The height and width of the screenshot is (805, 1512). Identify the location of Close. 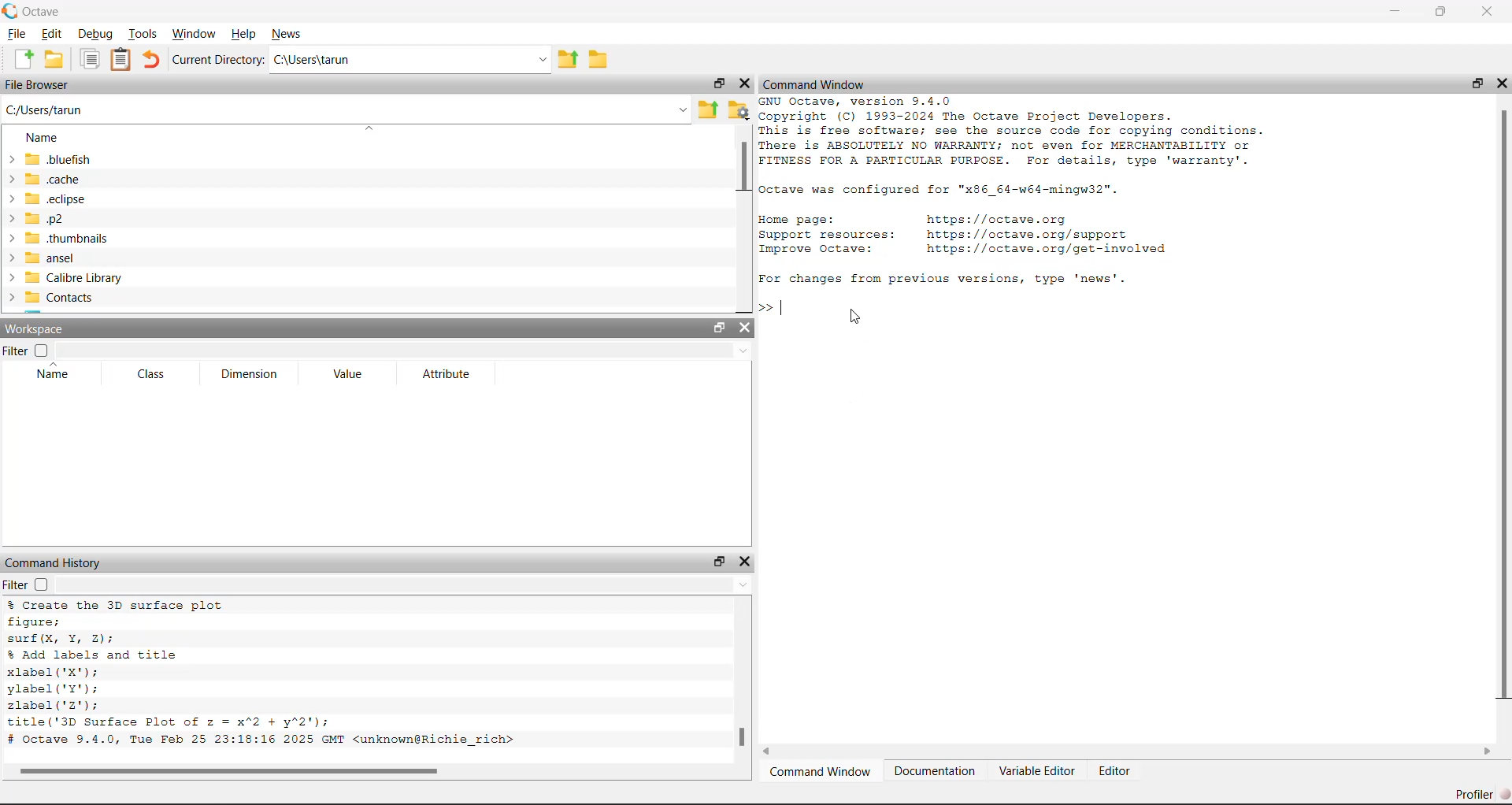
(746, 328).